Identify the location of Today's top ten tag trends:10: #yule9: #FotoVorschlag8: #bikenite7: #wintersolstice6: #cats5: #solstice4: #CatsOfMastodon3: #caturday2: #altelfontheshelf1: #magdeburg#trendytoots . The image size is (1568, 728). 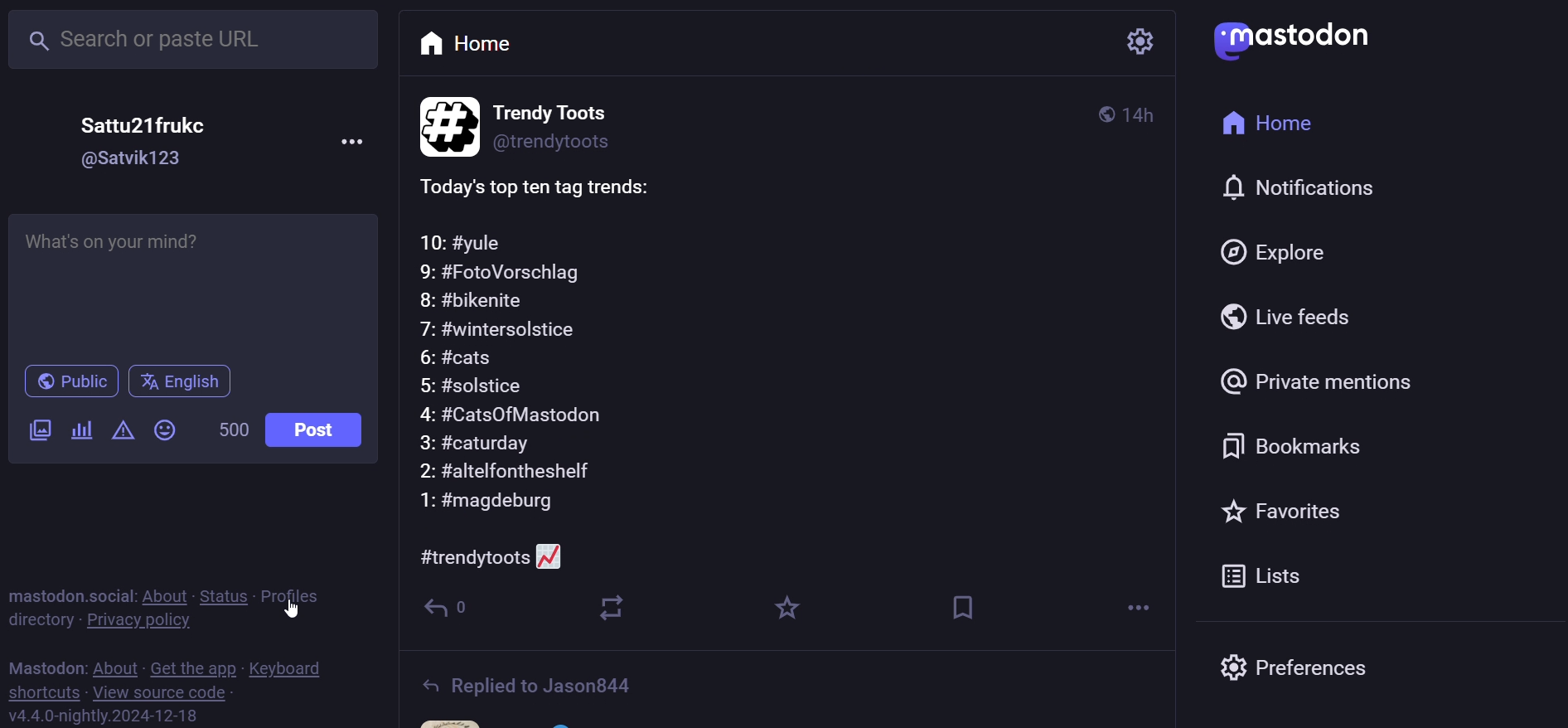
(790, 371).